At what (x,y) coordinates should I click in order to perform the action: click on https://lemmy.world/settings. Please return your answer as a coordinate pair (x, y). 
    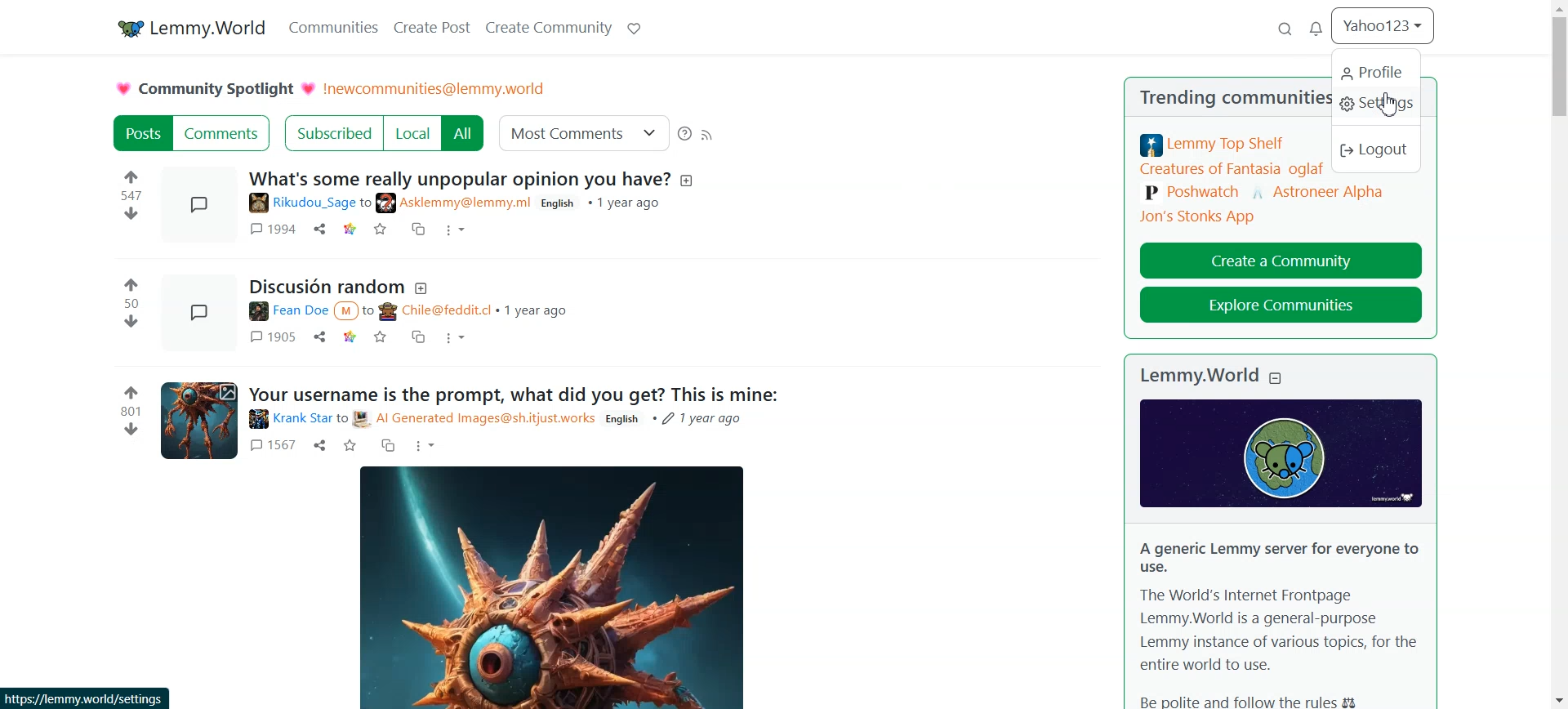
    Looking at the image, I should click on (85, 698).